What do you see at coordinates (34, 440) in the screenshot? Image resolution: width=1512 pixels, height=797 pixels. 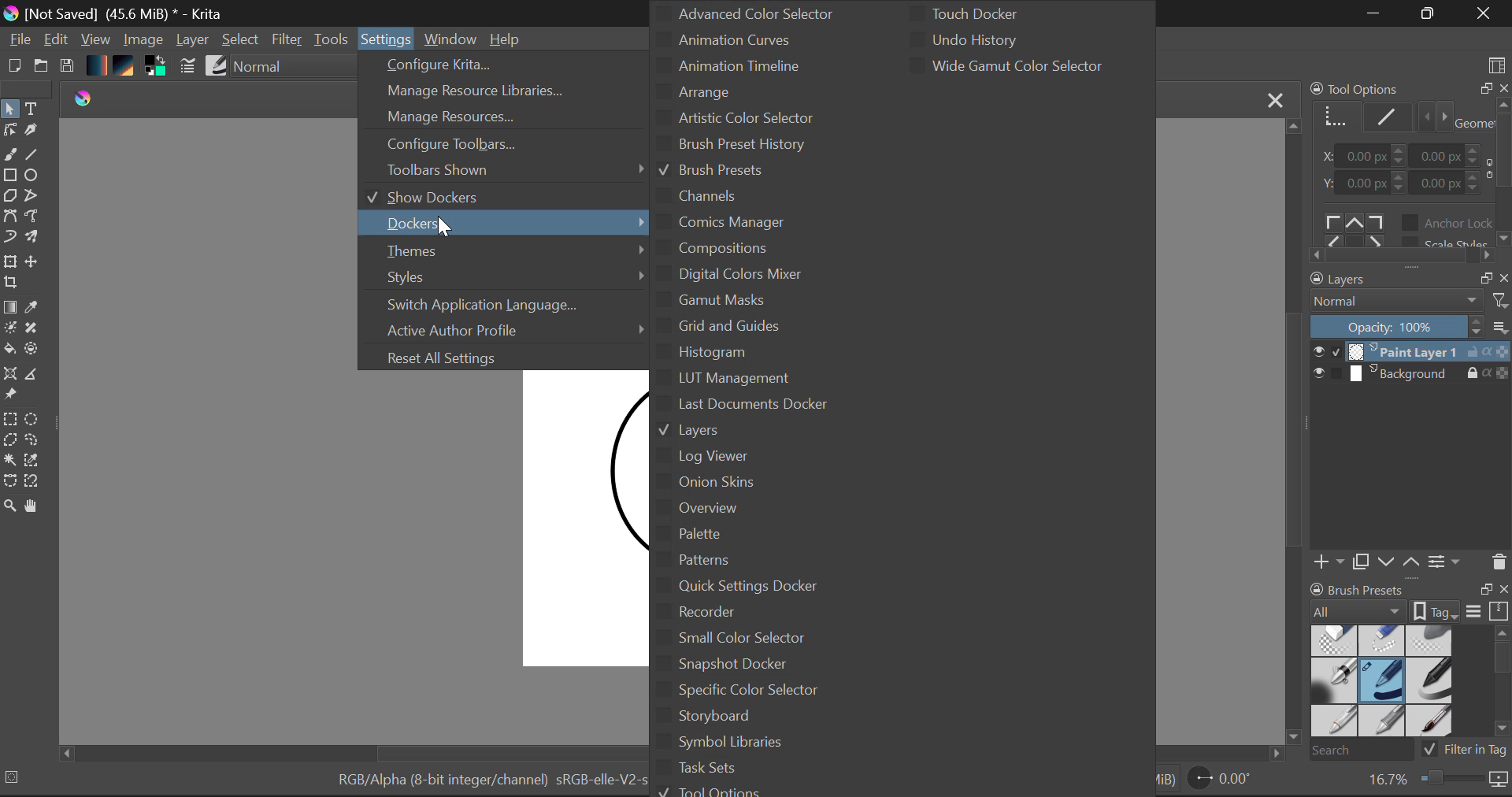 I see `Freehand Selection` at bounding box center [34, 440].